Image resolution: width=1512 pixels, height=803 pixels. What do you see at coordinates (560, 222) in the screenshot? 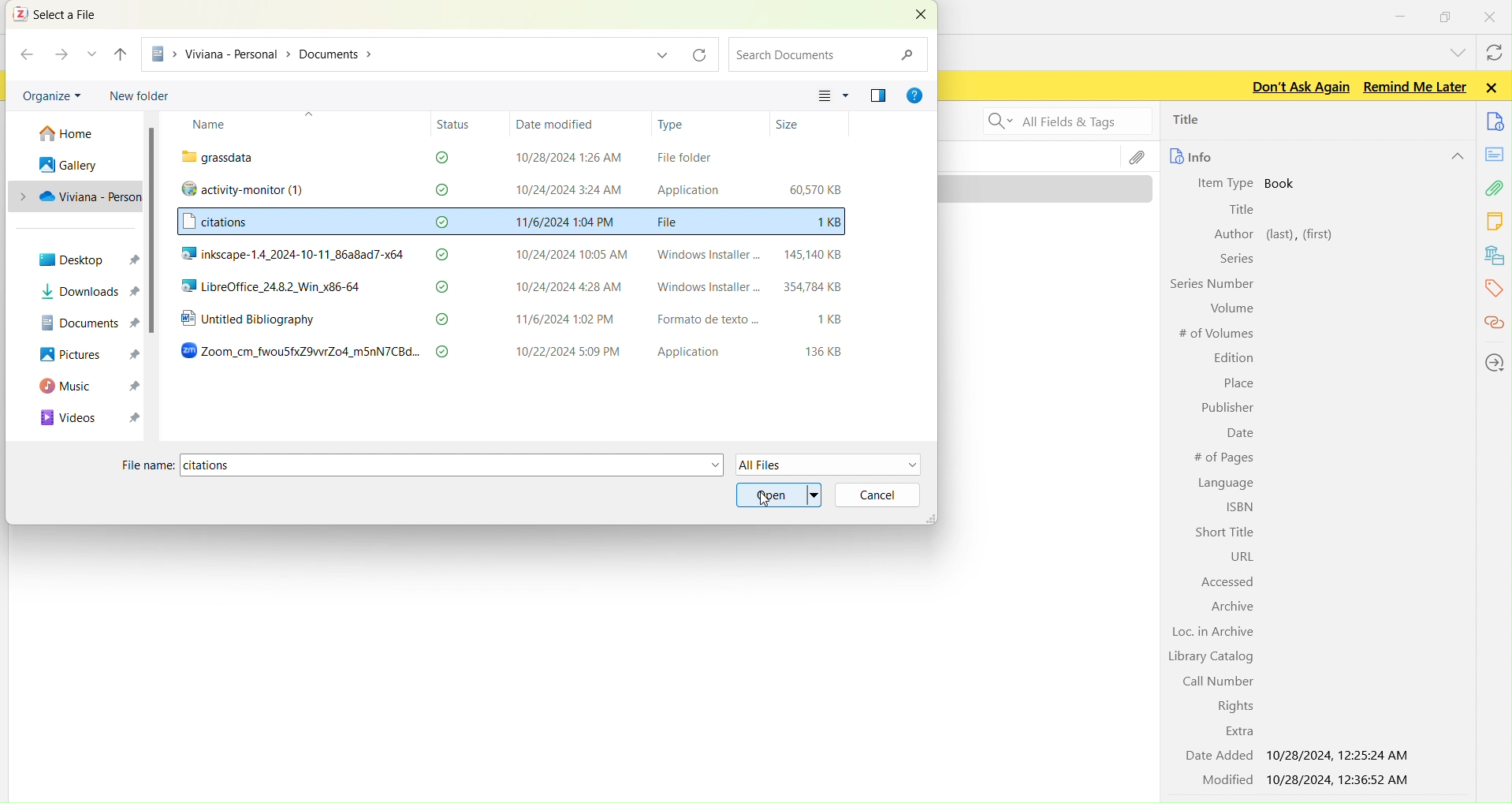
I see `11/6/2024 1:04 PM` at bounding box center [560, 222].